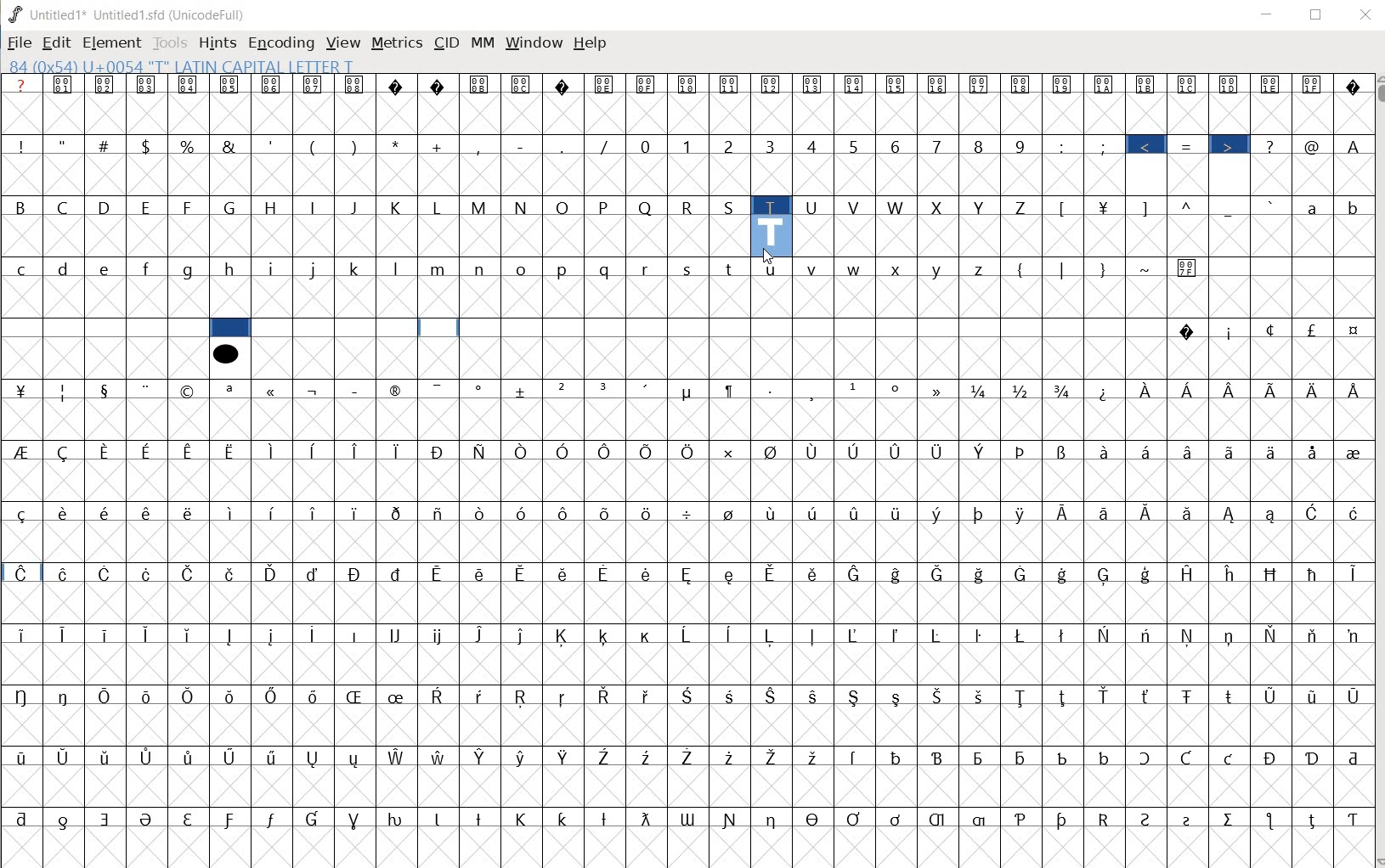 The width and height of the screenshot is (1385, 868). Describe the element at coordinates (400, 144) in the screenshot. I see `*` at that location.